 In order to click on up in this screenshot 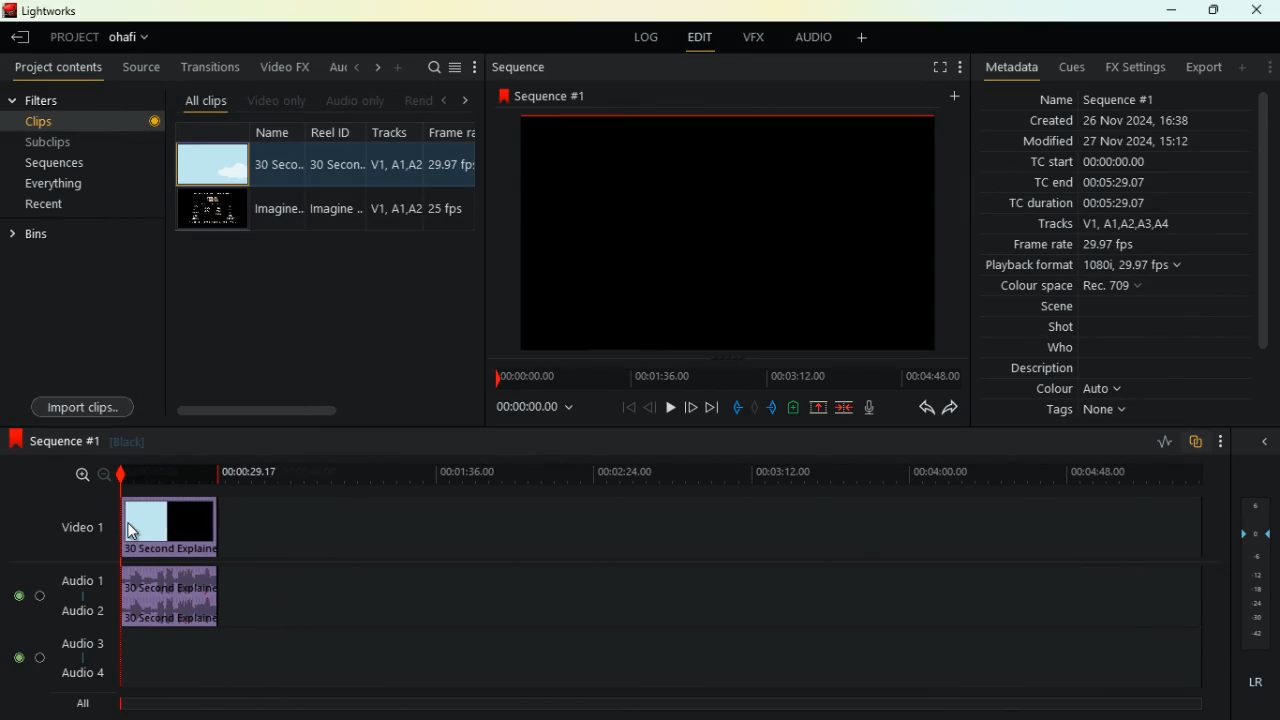, I will do `click(820, 409)`.